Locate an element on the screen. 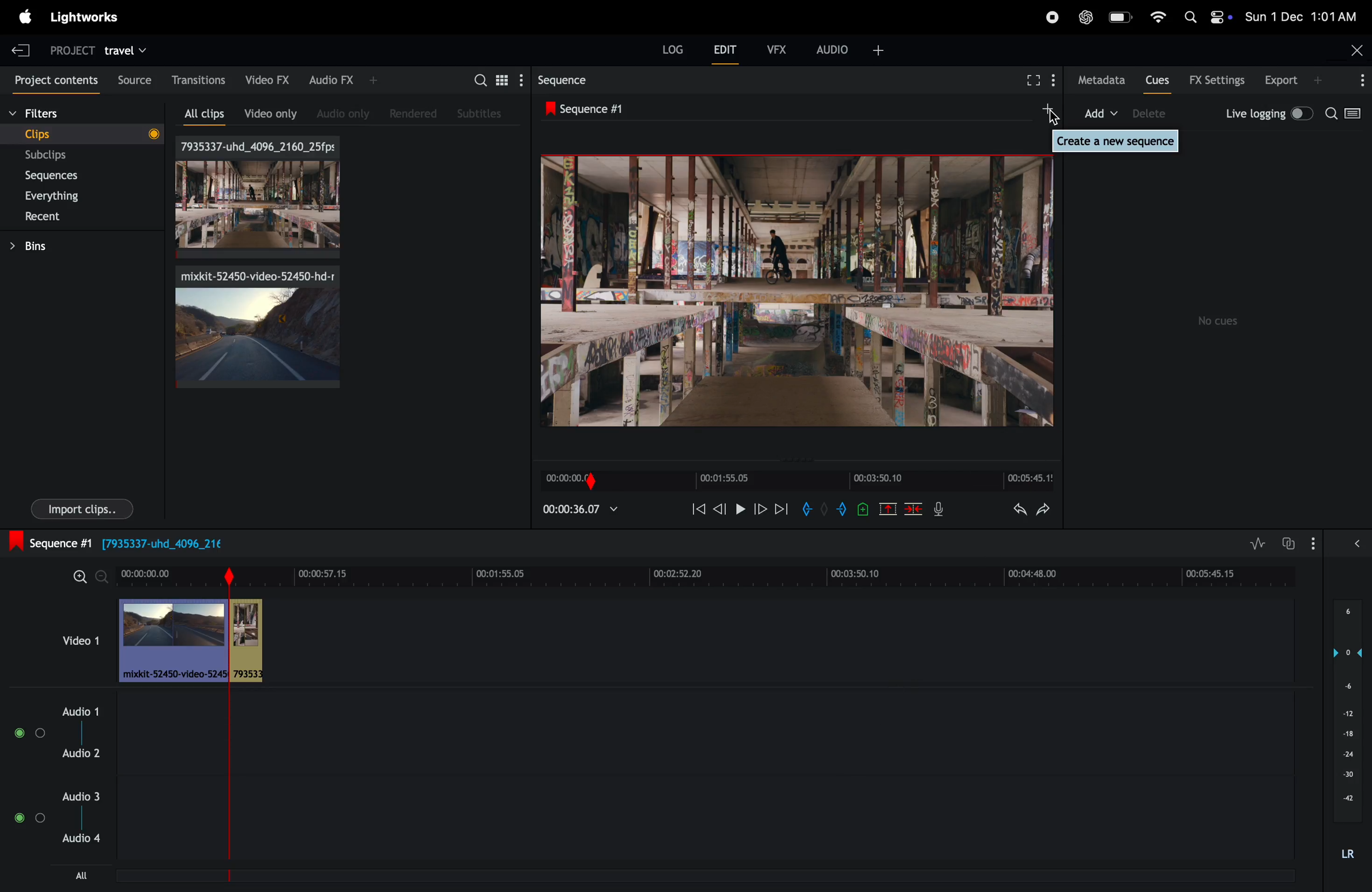 The height and width of the screenshot is (892, 1372). options is located at coordinates (1360, 81).